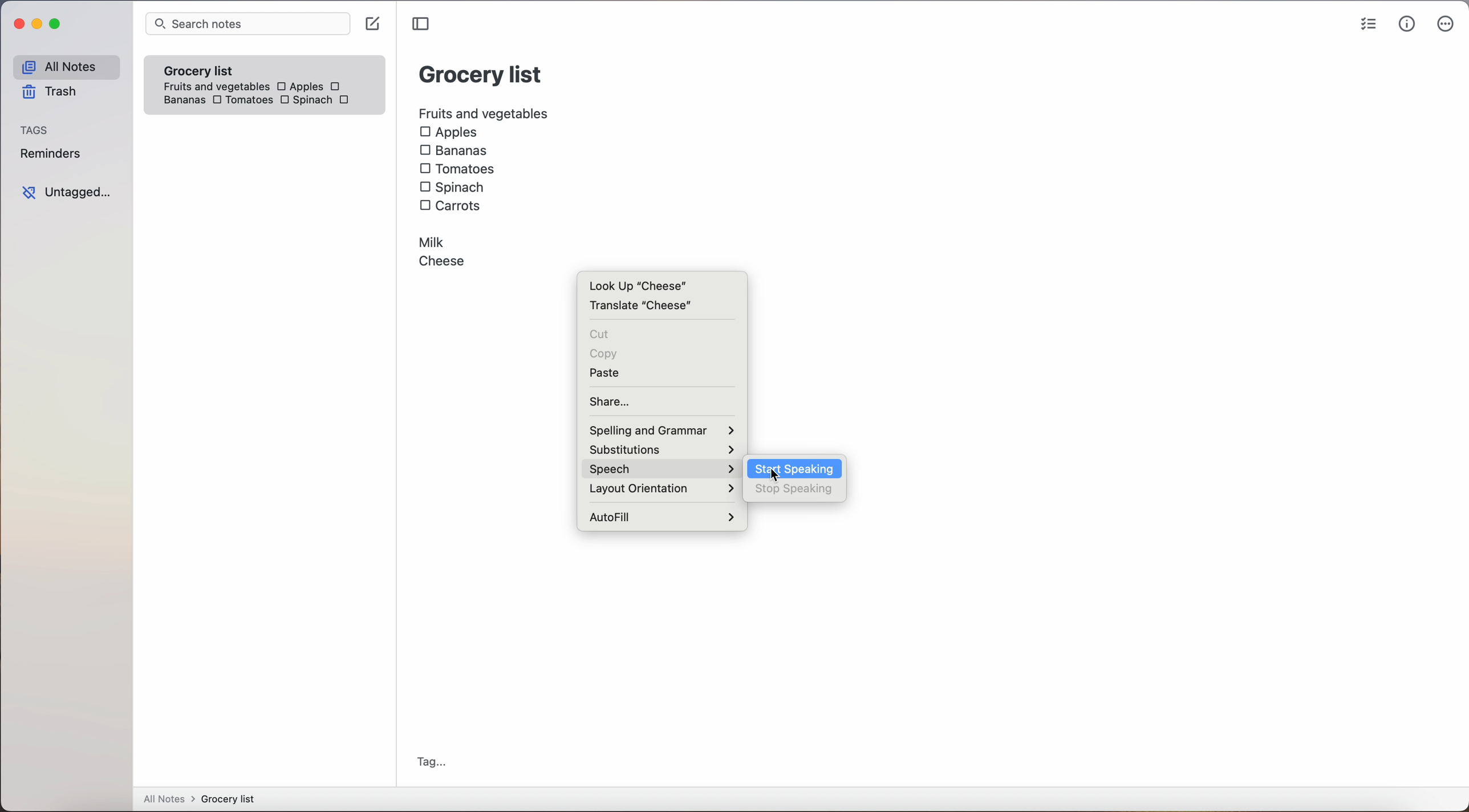 Image resolution: width=1469 pixels, height=812 pixels. Describe the element at coordinates (66, 192) in the screenshot. I see `untagged` at that location.